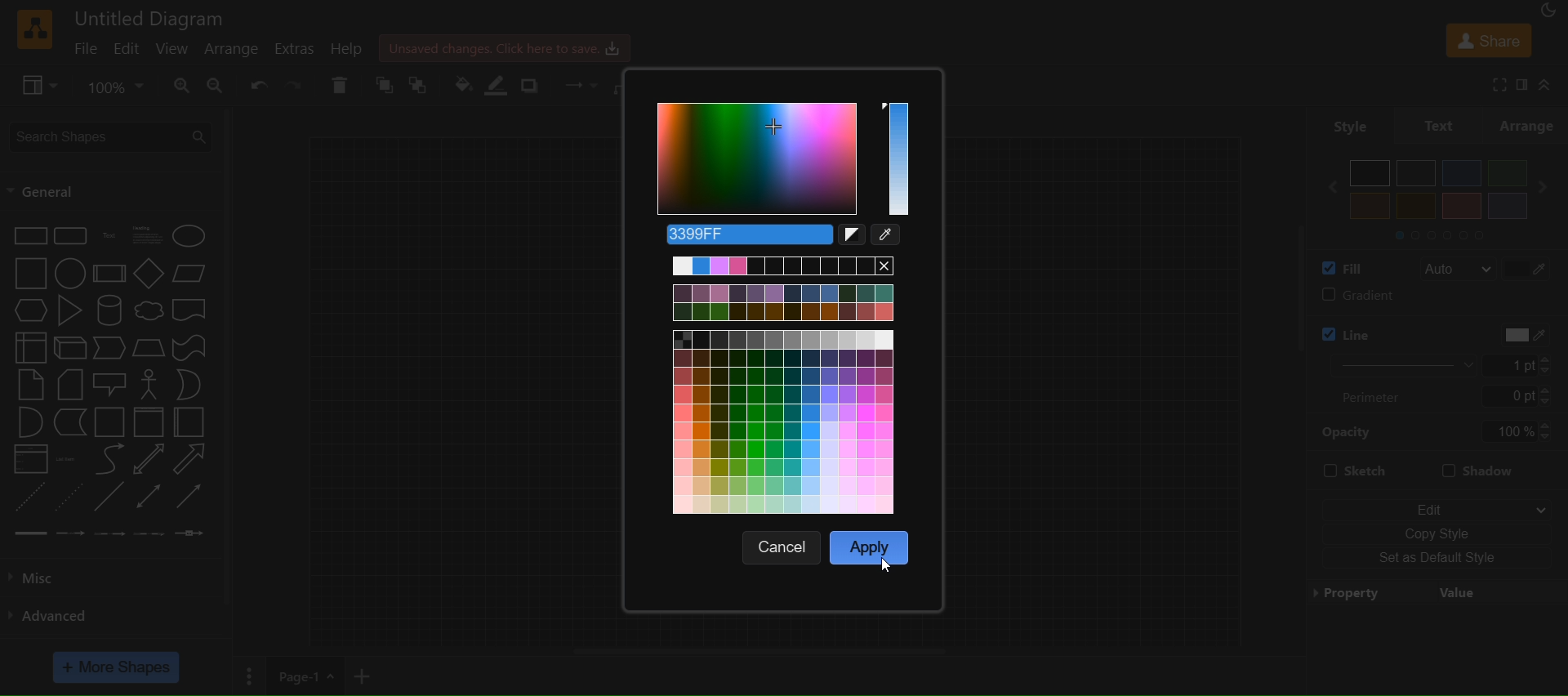  I want to click on undo, so click(261, 84).